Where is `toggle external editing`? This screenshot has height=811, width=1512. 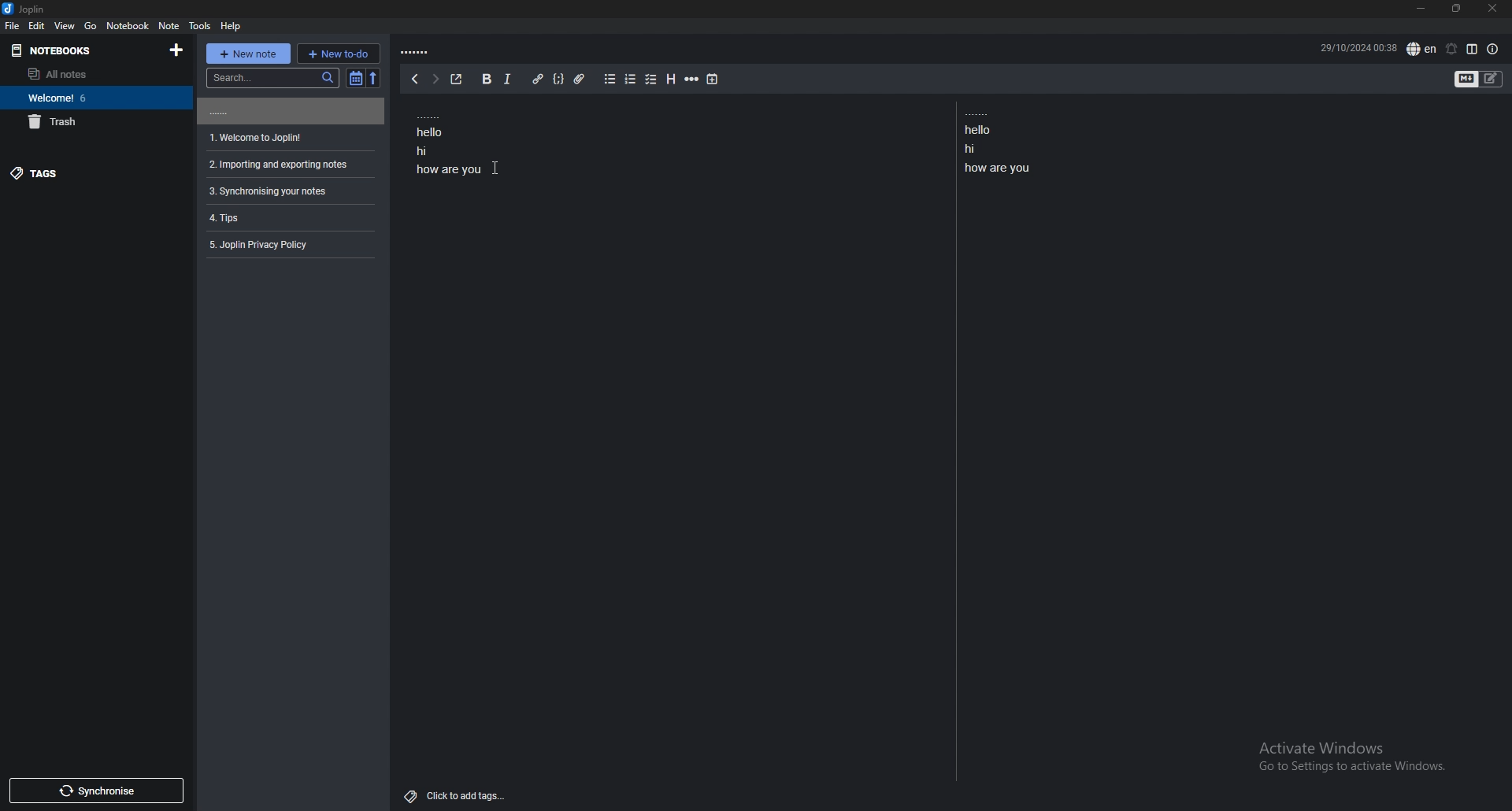
toggle external editing is located at coordinates (458, 80).